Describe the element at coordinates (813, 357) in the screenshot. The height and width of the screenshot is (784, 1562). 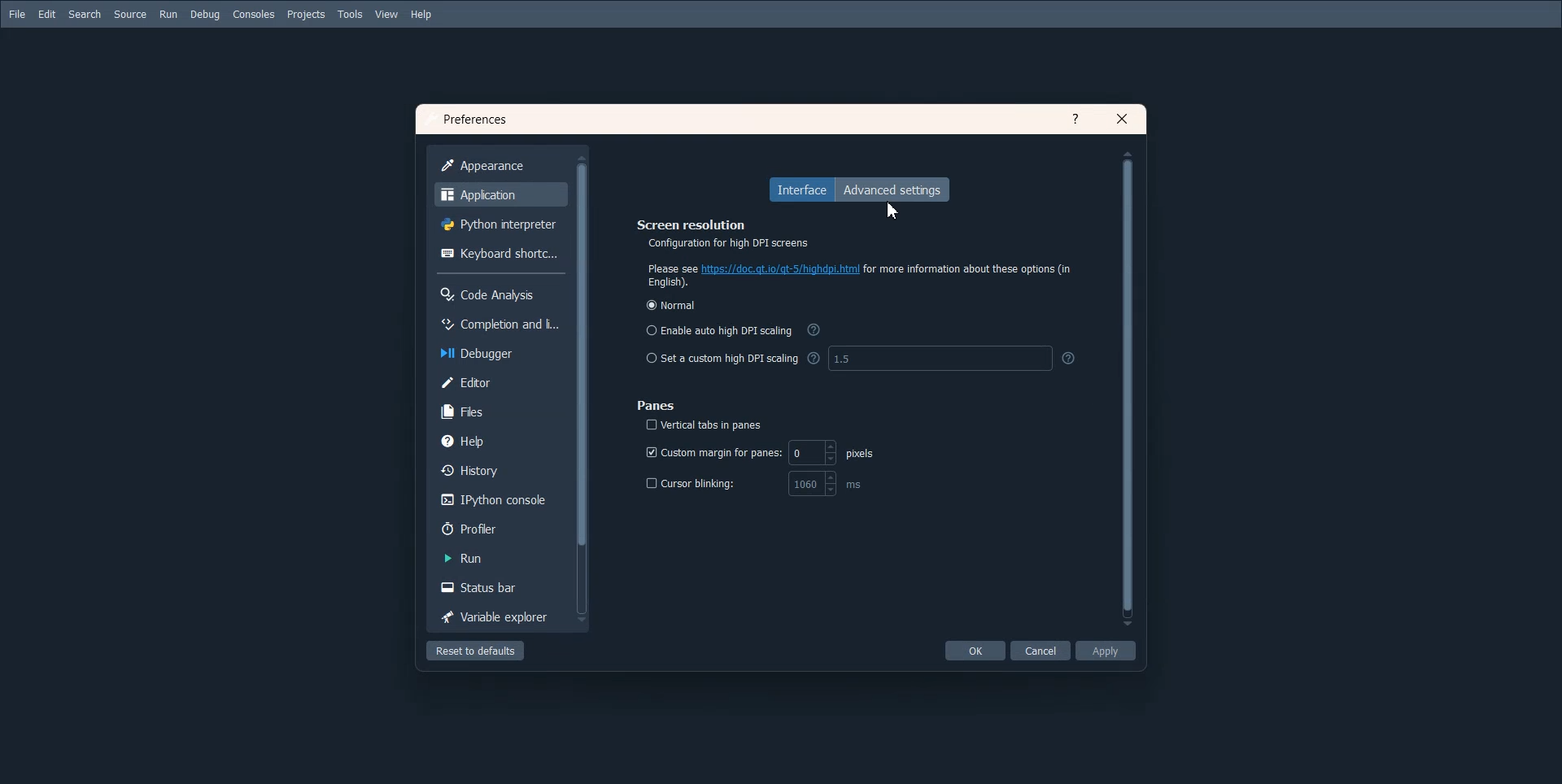
I see `more info` at that location.